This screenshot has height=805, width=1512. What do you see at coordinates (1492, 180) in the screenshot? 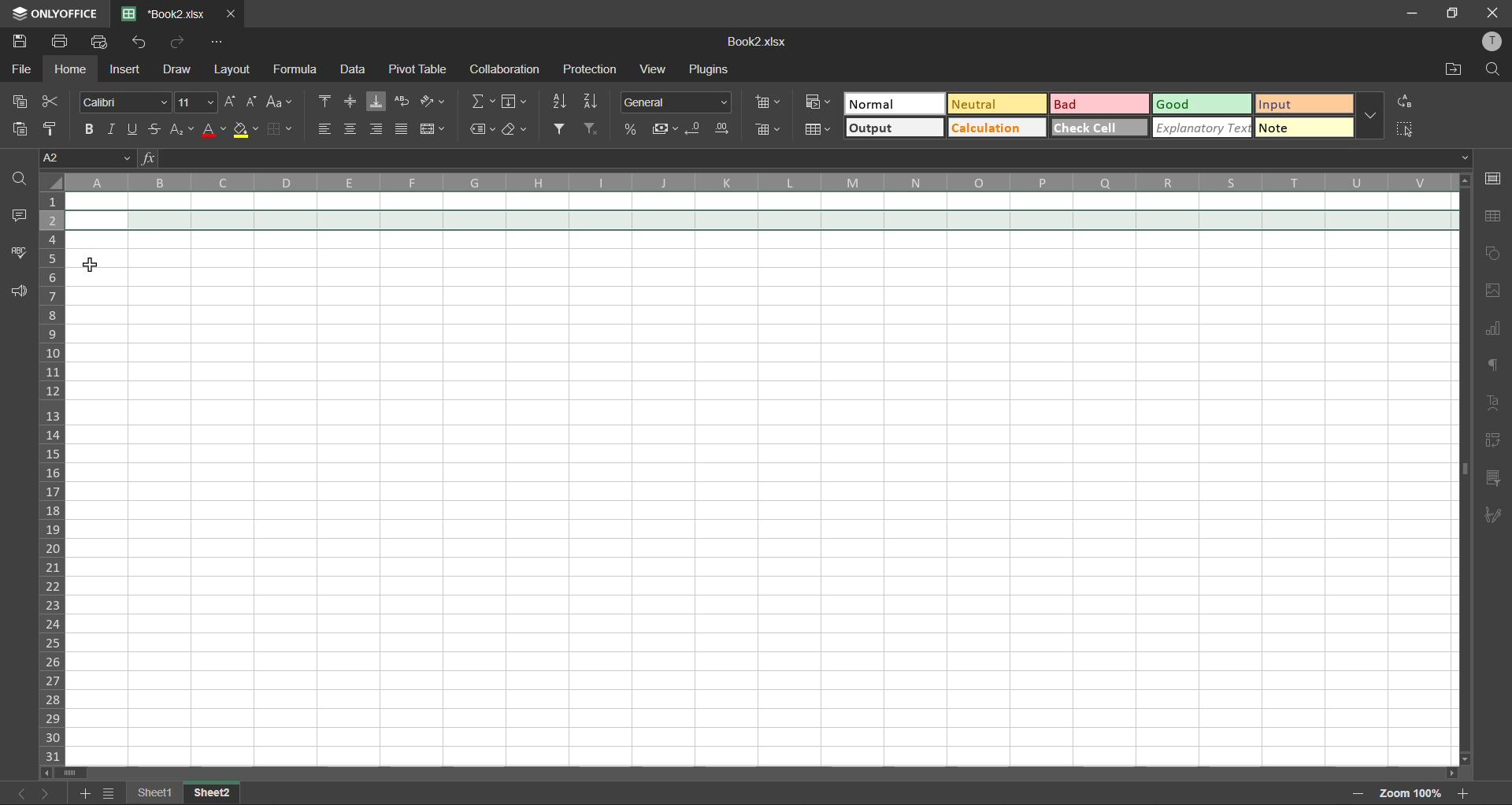
I see `cell settings` at bounding box center [1492, 180].